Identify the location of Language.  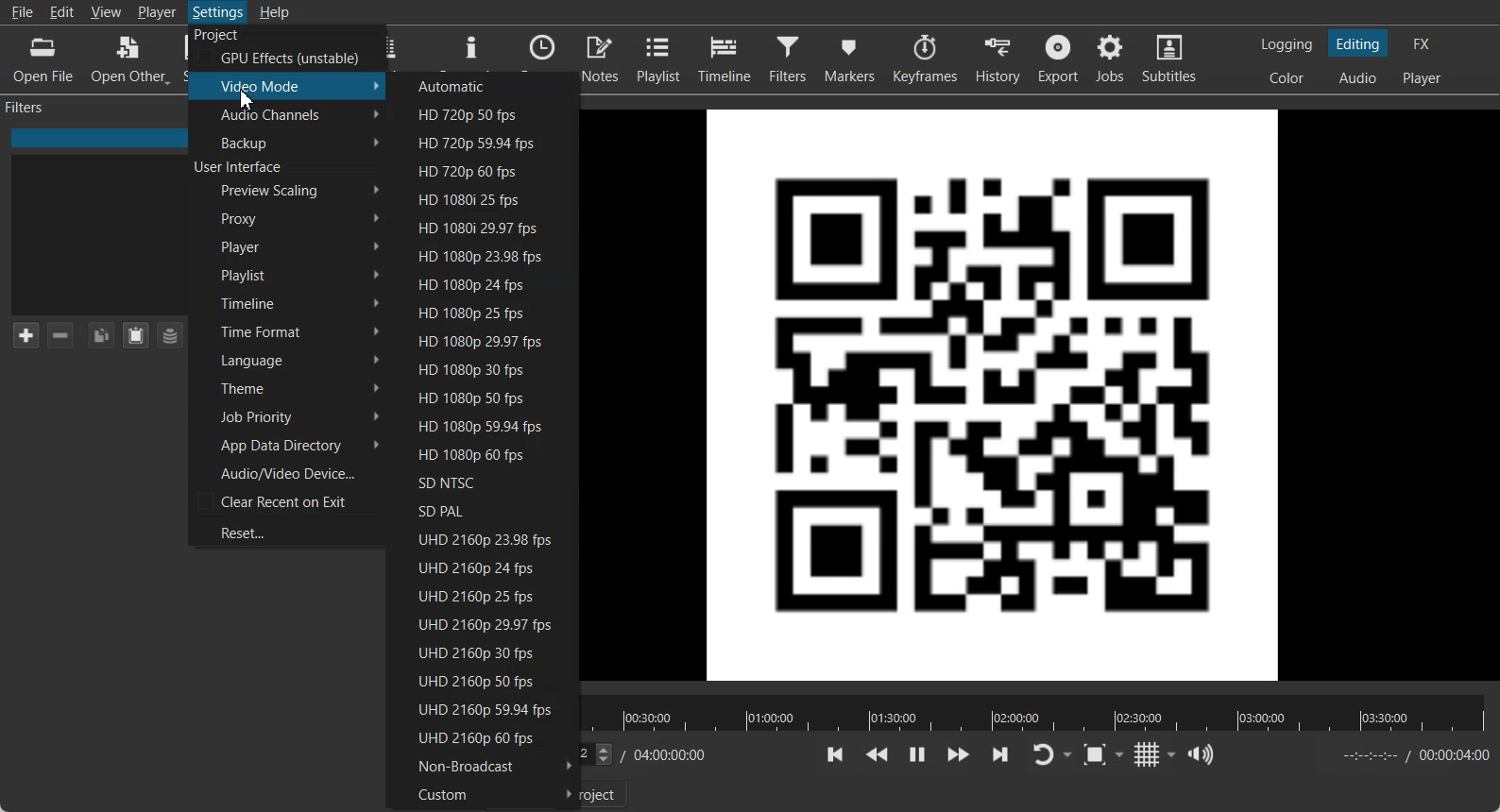
(286, 359).